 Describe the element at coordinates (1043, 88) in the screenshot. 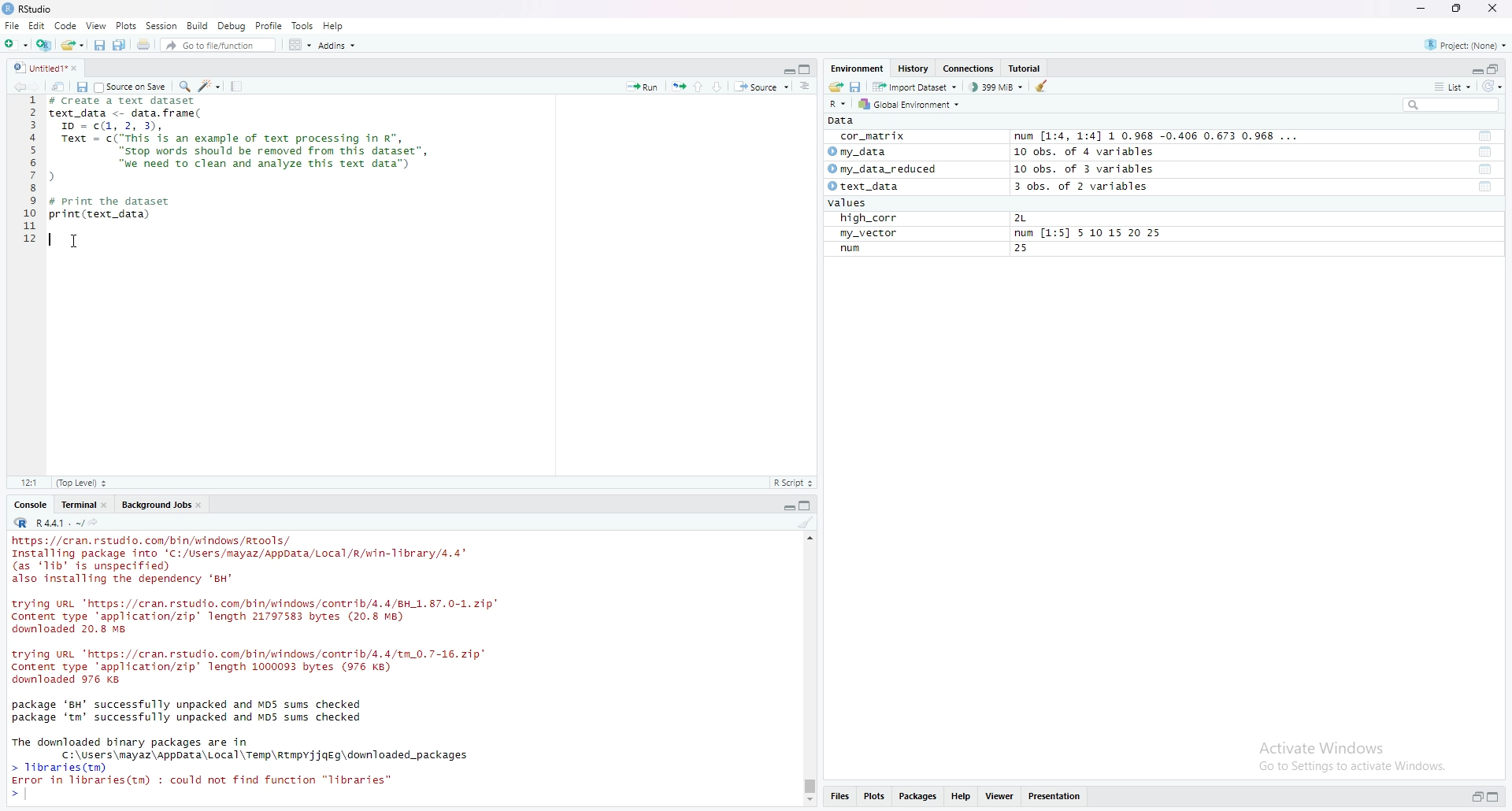

I see `clear object from the workspace` at that location.